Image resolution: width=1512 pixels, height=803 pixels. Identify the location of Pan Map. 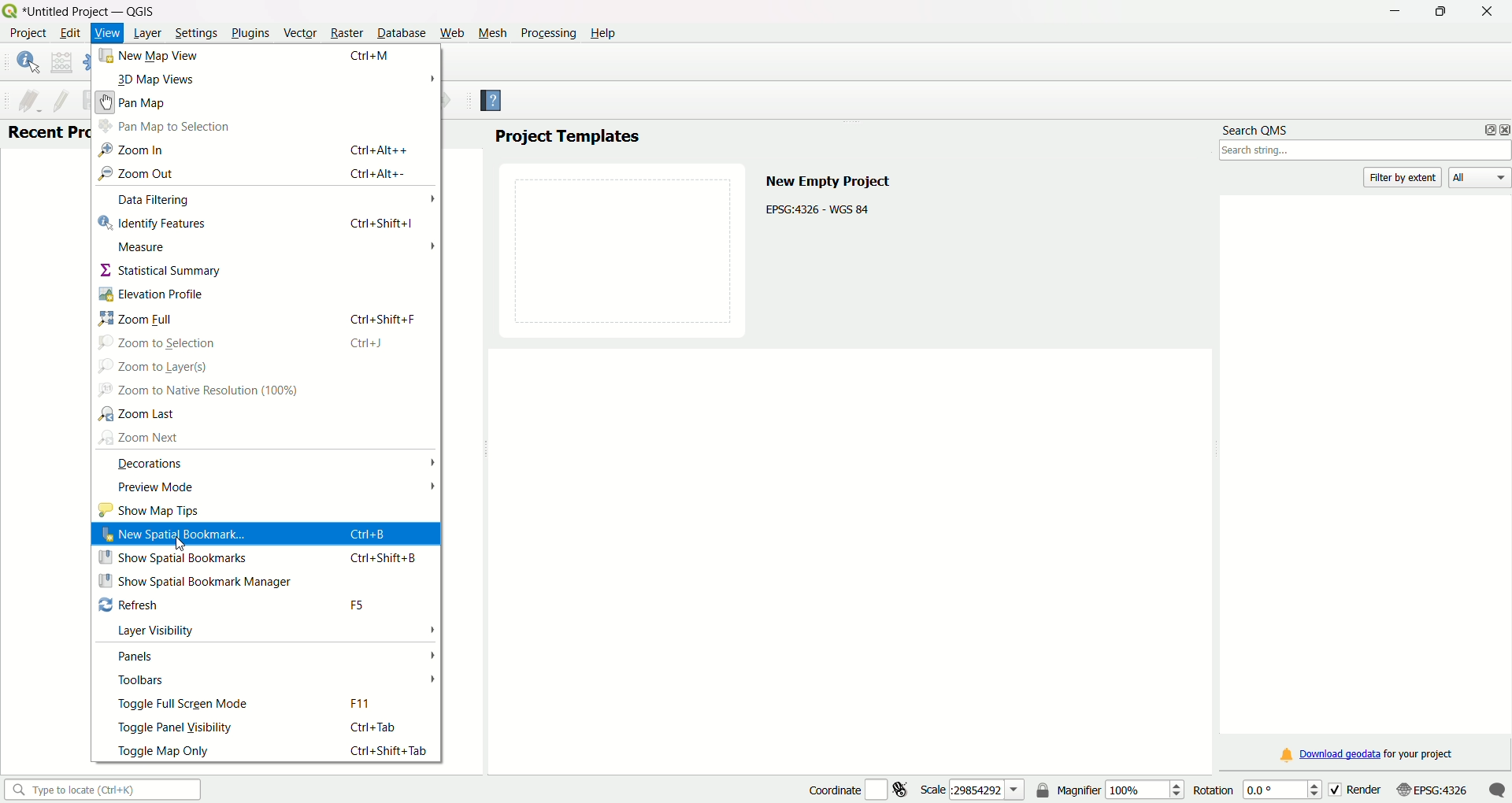
(133, 101).